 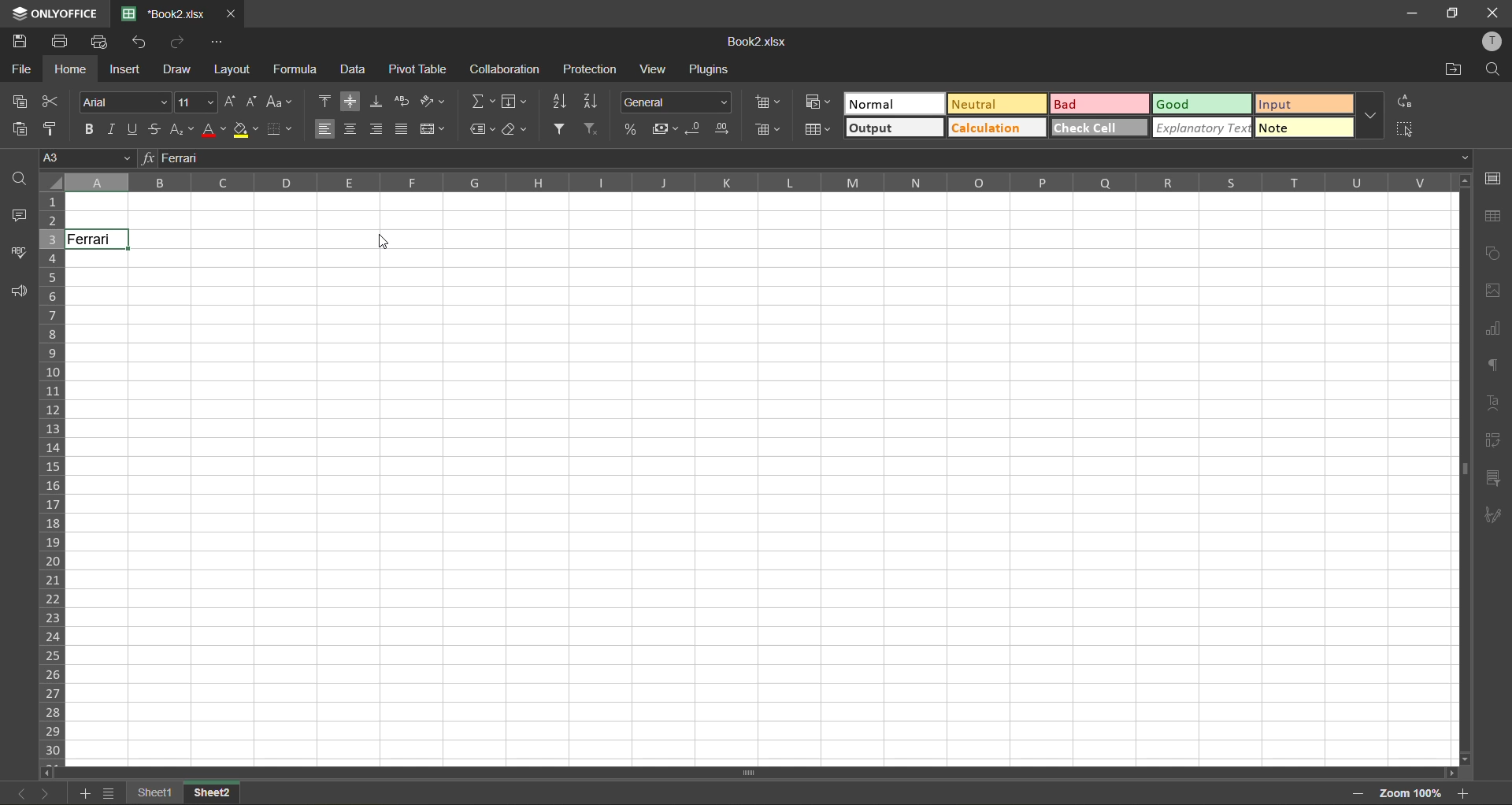 I want to click on delete cells, so click(x=768, y=131).